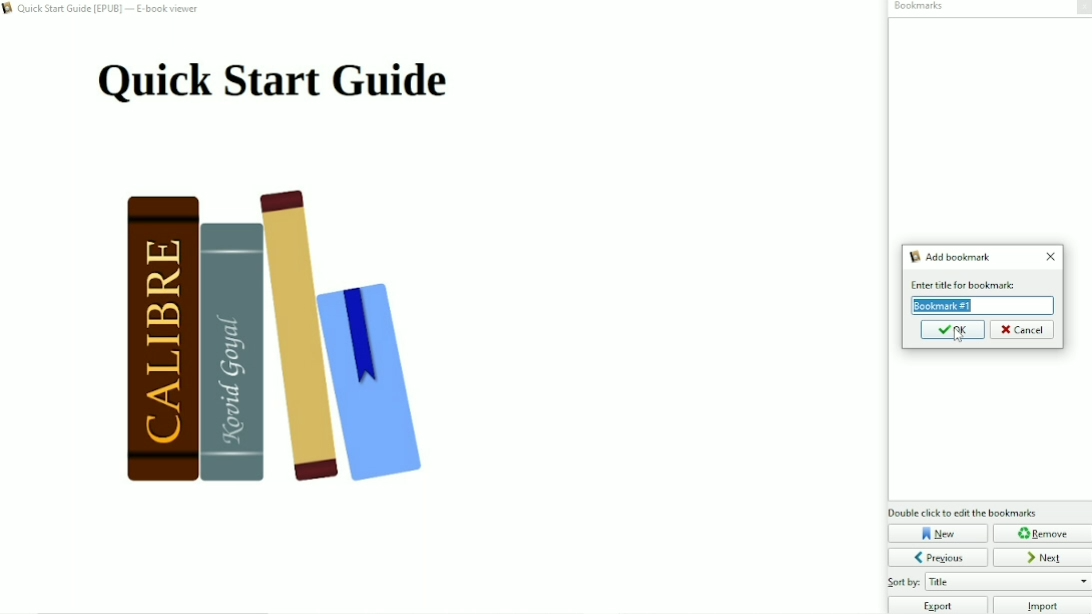 The height and width of the screenshot is (614, 1092). Describe the element at coordinates (950, 257) in the screenshot. I see `Add bookmark` at that location.